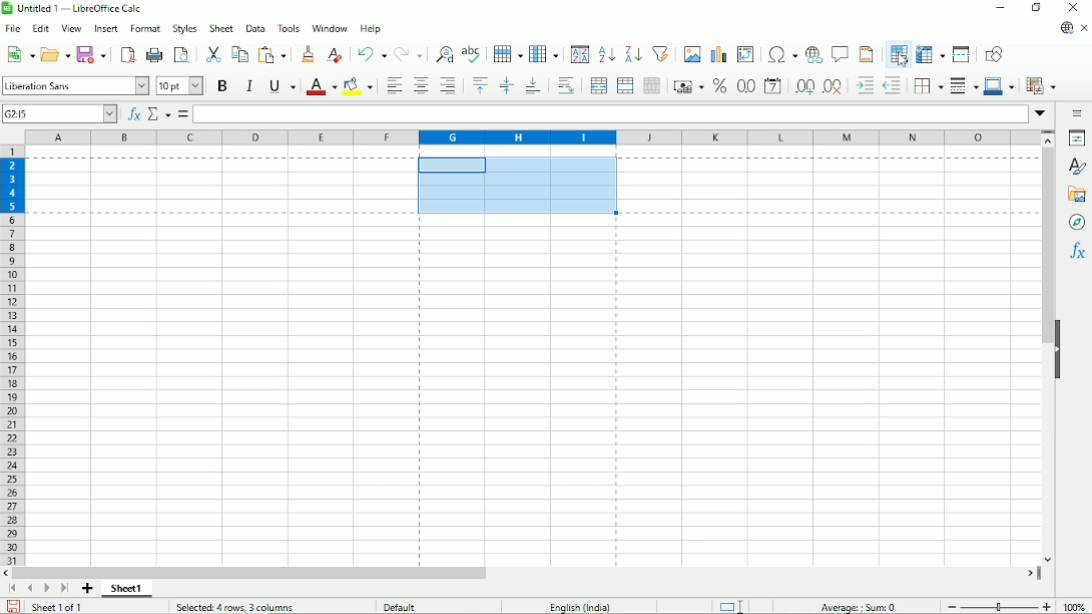  Describe the element at coordinates (281, 85) in the screenshot. I see `Underline` at that location.